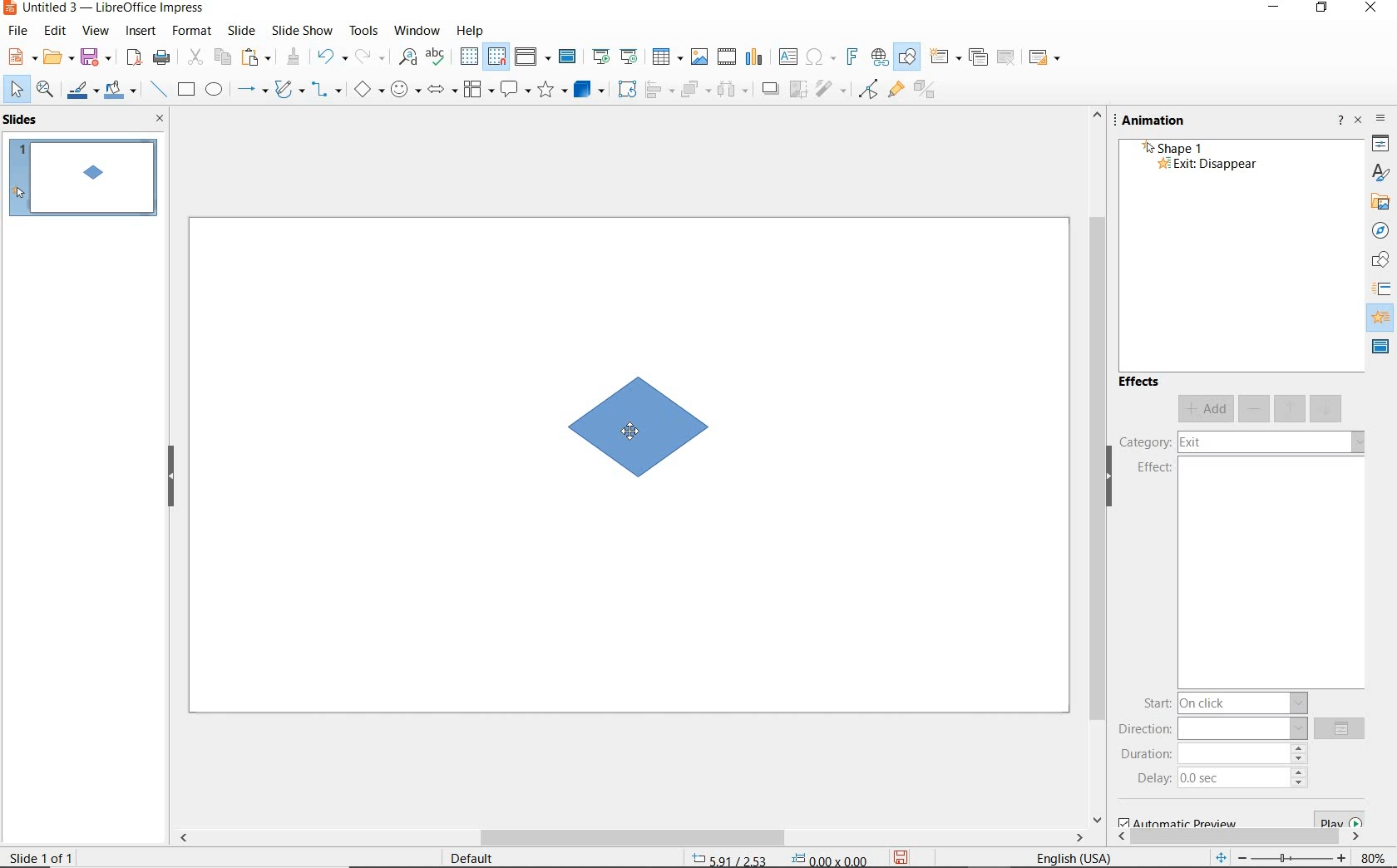 This screenshot has height=868, width=1397. Describe the element at coordinates (1156, 469) in the screenshot. I see `effect` at that location.